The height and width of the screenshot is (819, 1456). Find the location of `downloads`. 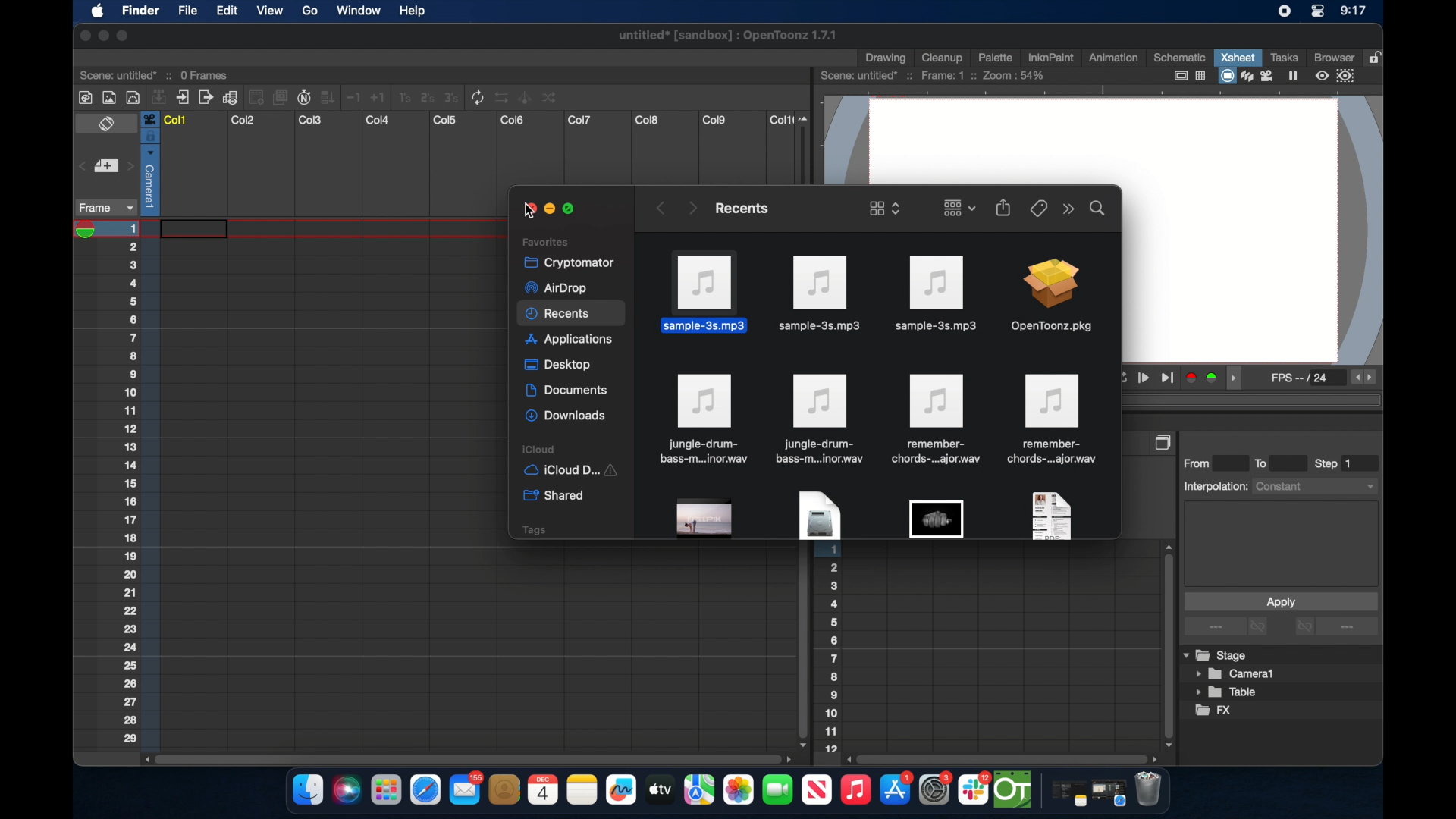

downloads is located at coordinates (567, 416).